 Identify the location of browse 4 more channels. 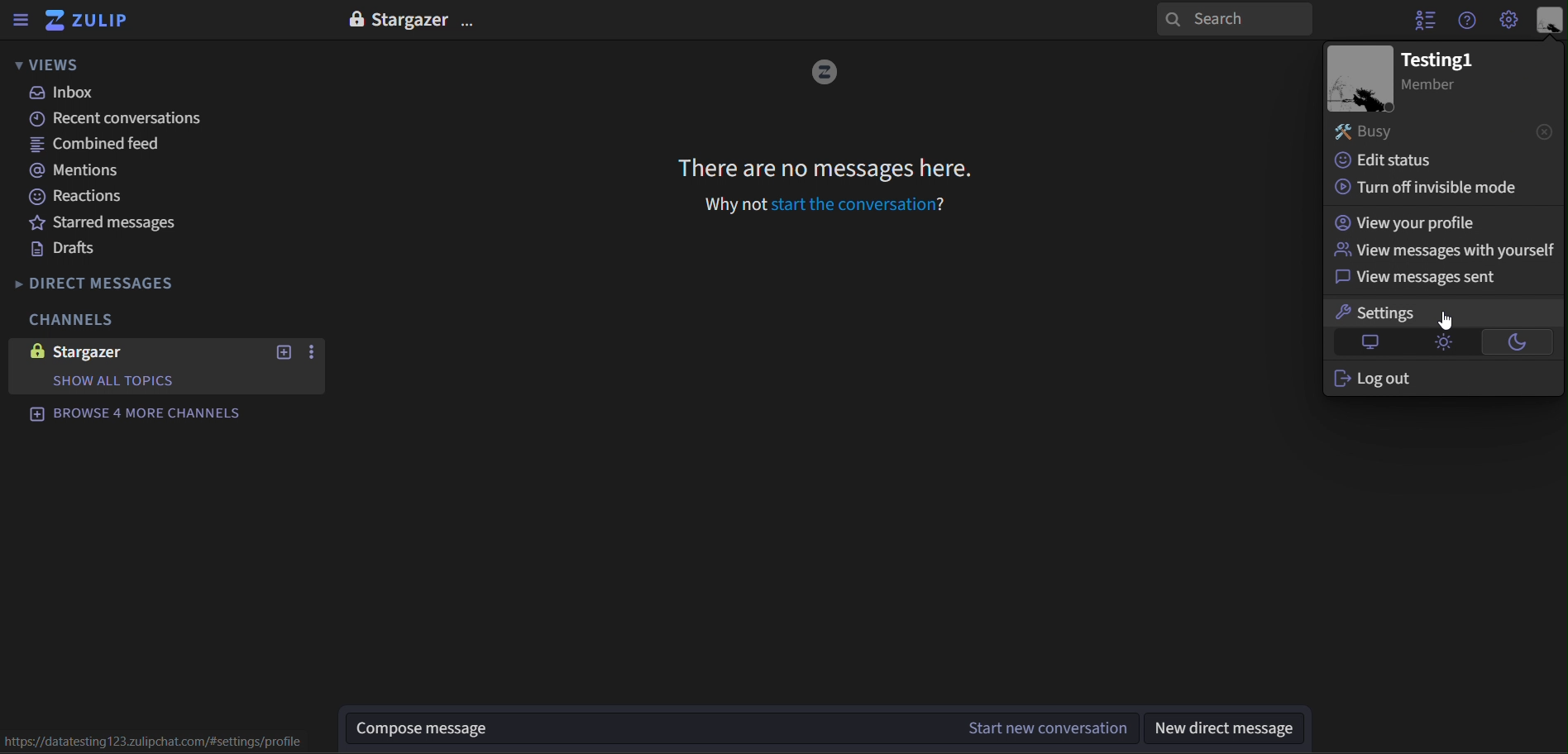
(149, 416).